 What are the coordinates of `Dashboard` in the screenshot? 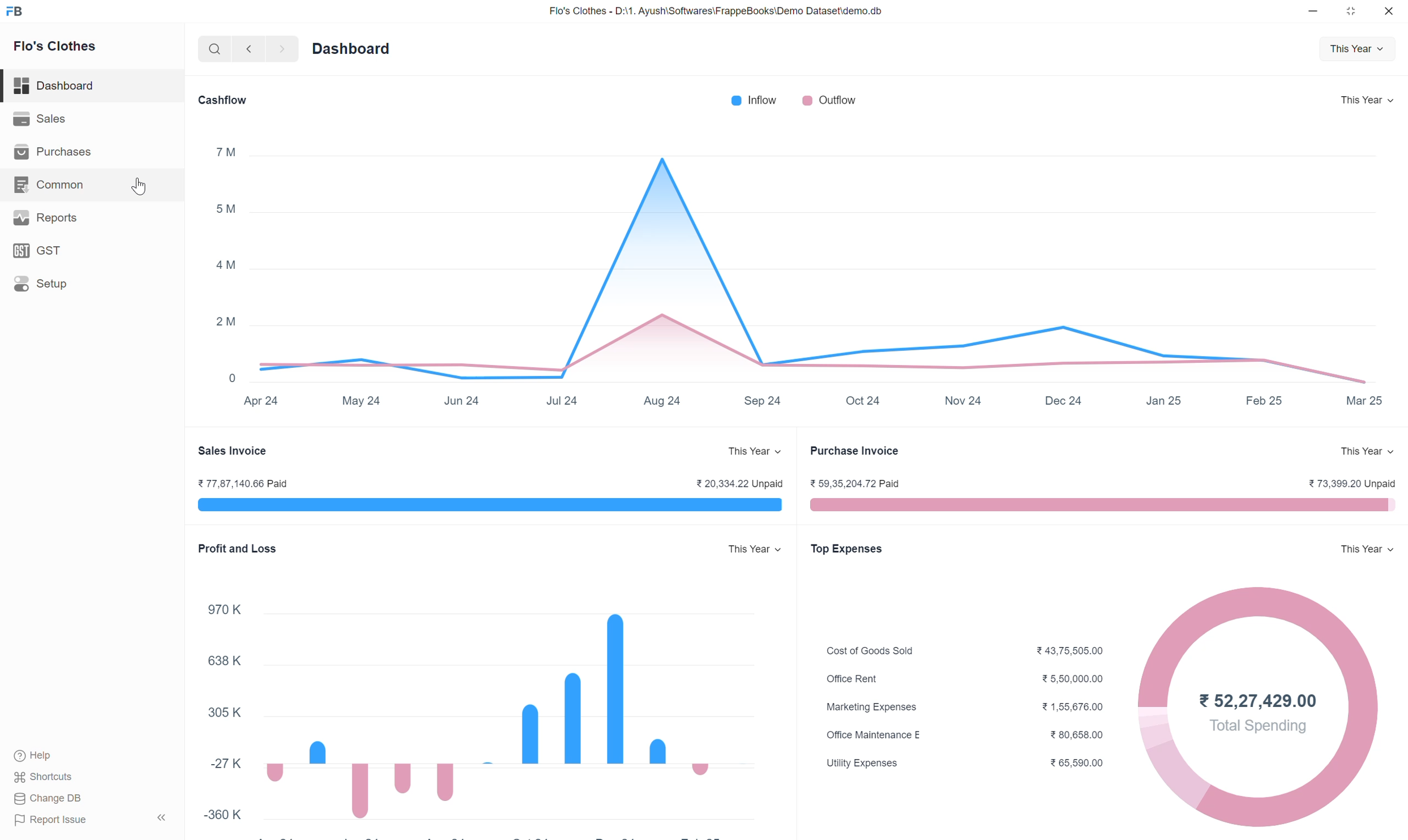 It's located at (61, 85).